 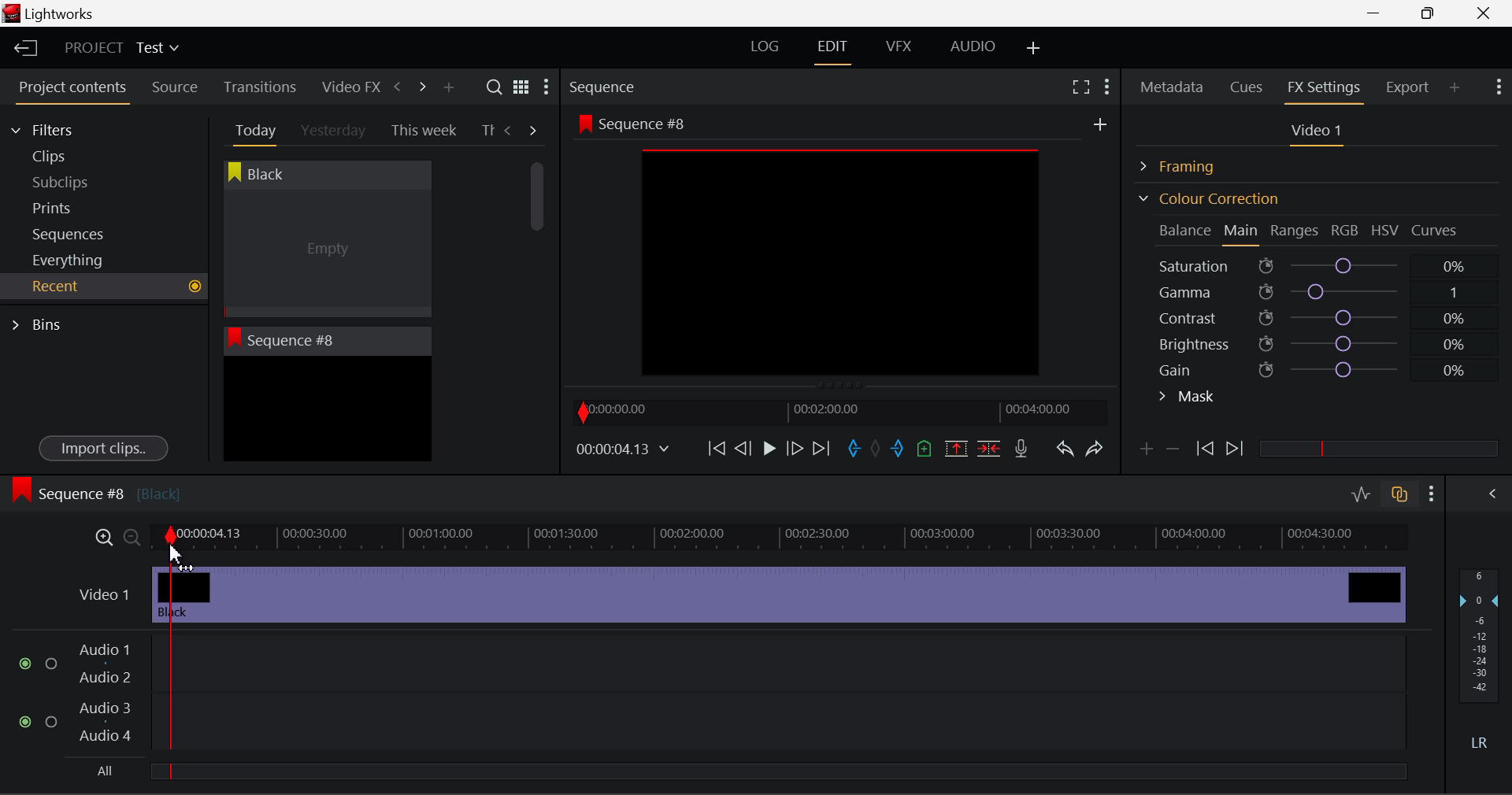 I want to click on This week Tab, so click(x=422, y=131).